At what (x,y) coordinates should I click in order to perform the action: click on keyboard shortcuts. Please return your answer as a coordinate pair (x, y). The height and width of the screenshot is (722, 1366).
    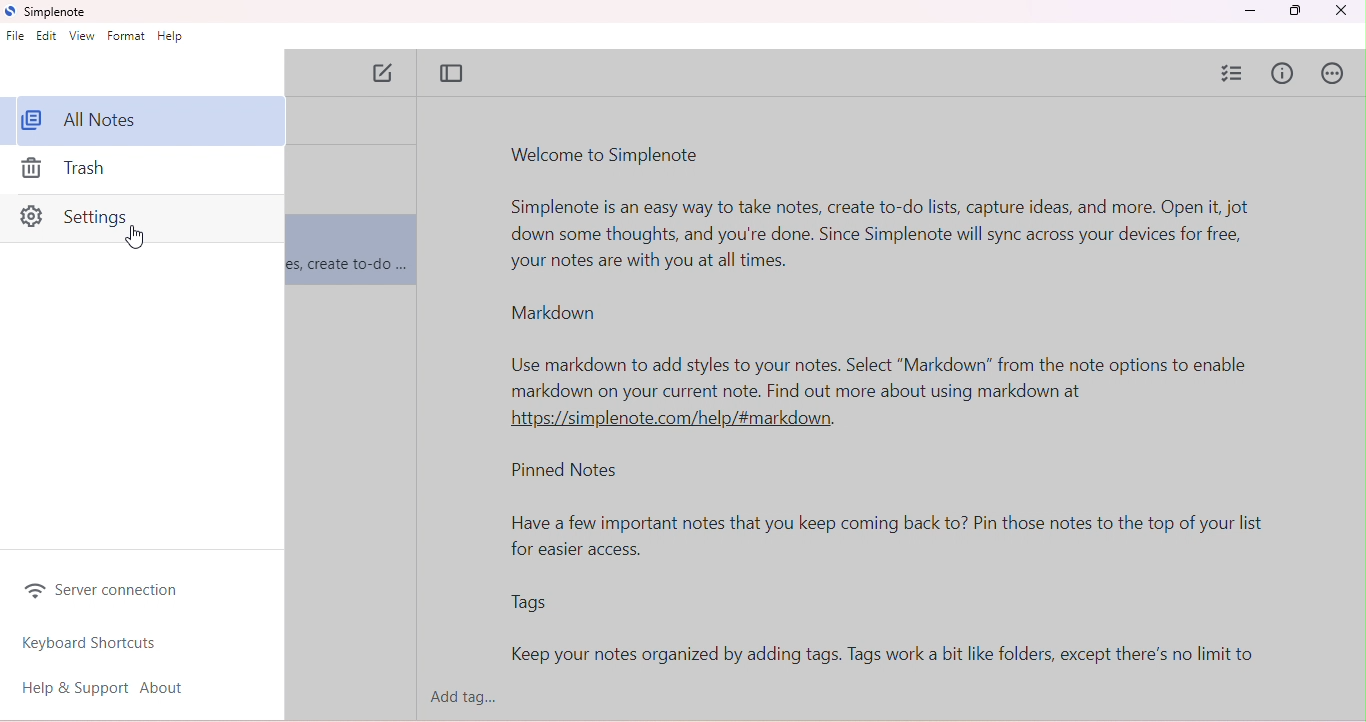
    Looking at the image, I should click on (91, 643).